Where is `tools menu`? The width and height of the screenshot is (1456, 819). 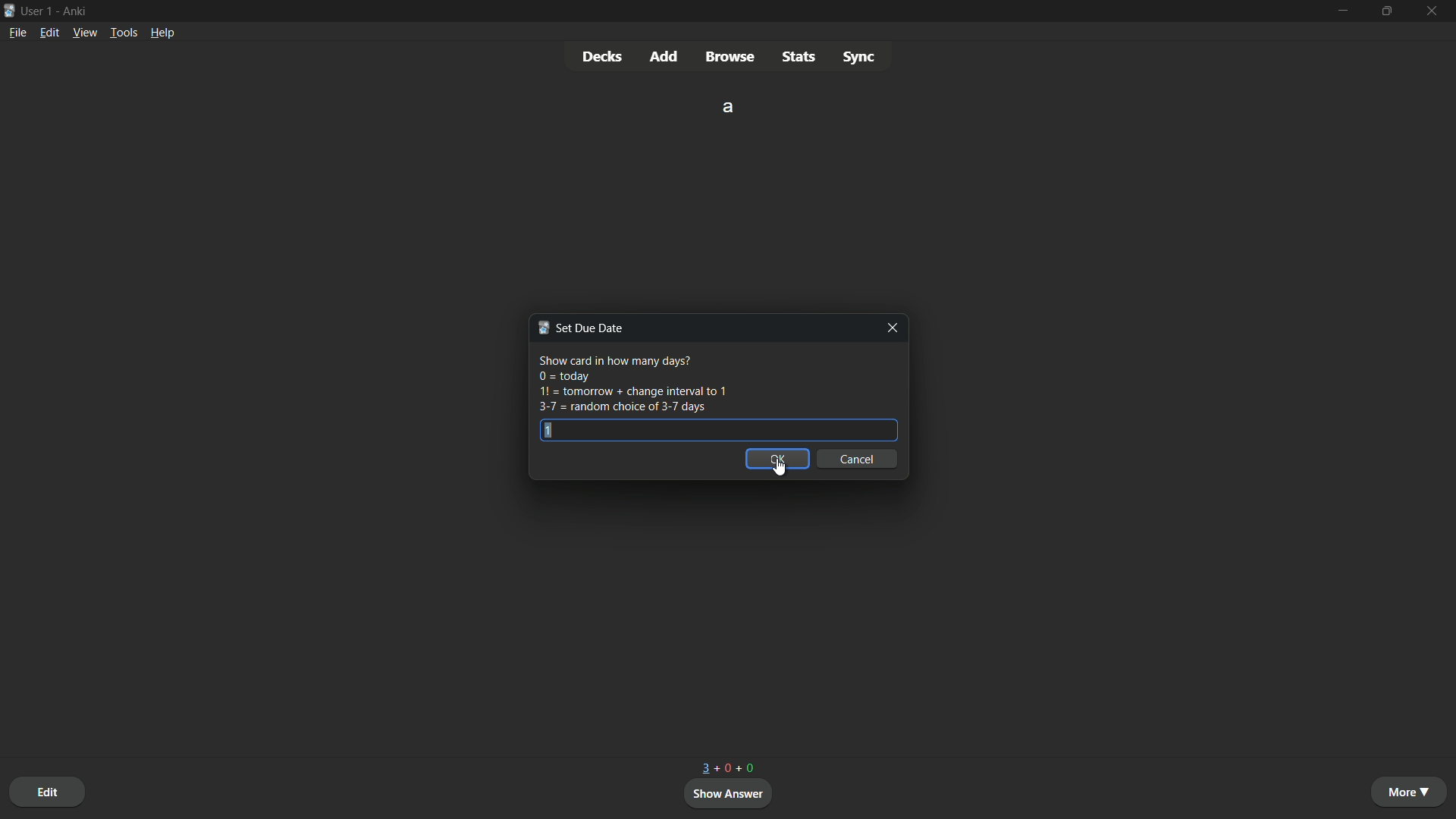
tools menu is located at coordinates (124, 33).